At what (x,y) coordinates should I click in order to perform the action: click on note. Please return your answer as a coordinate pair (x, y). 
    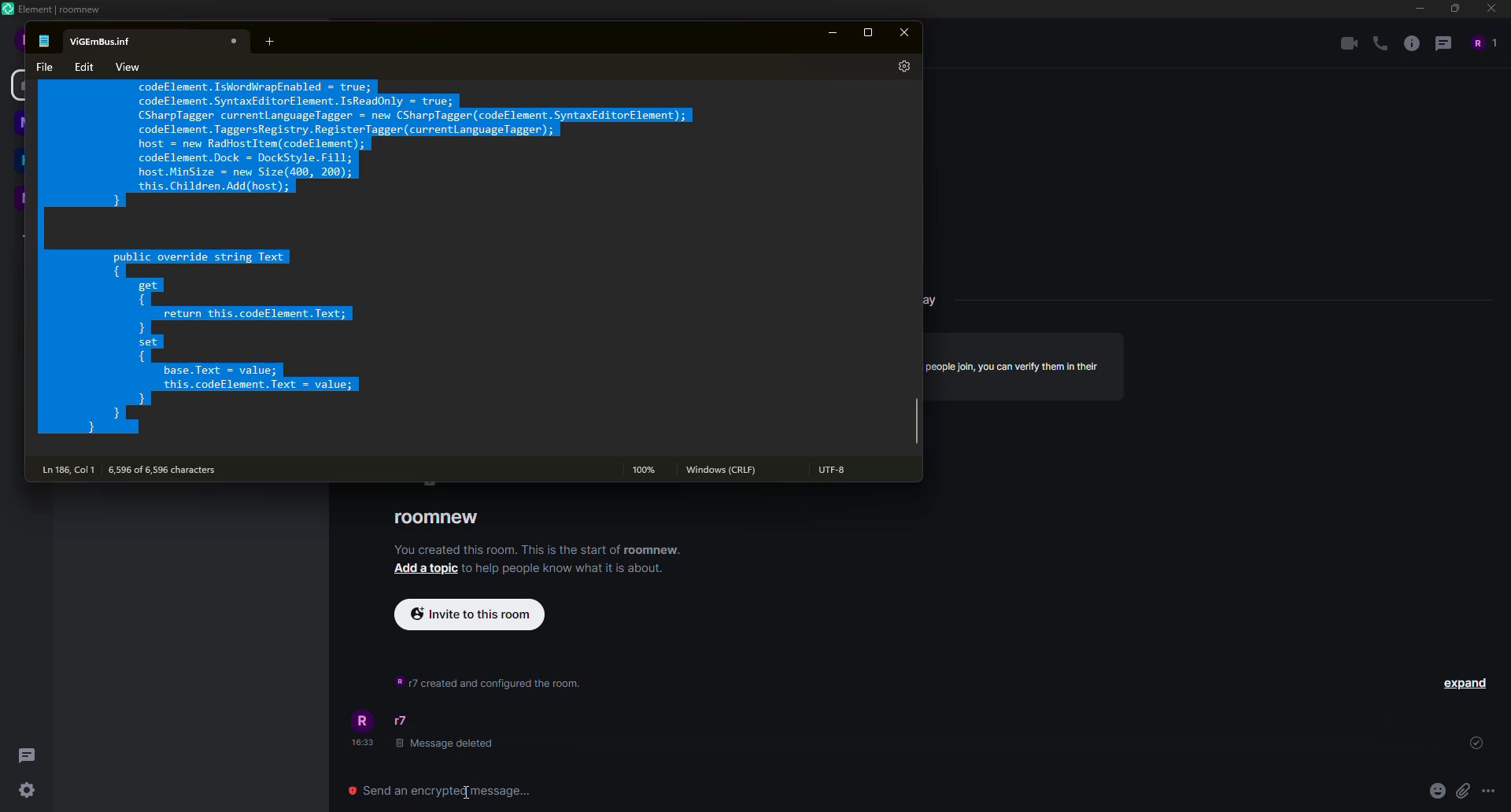
    Looking at the image, I should click on (105, 39).